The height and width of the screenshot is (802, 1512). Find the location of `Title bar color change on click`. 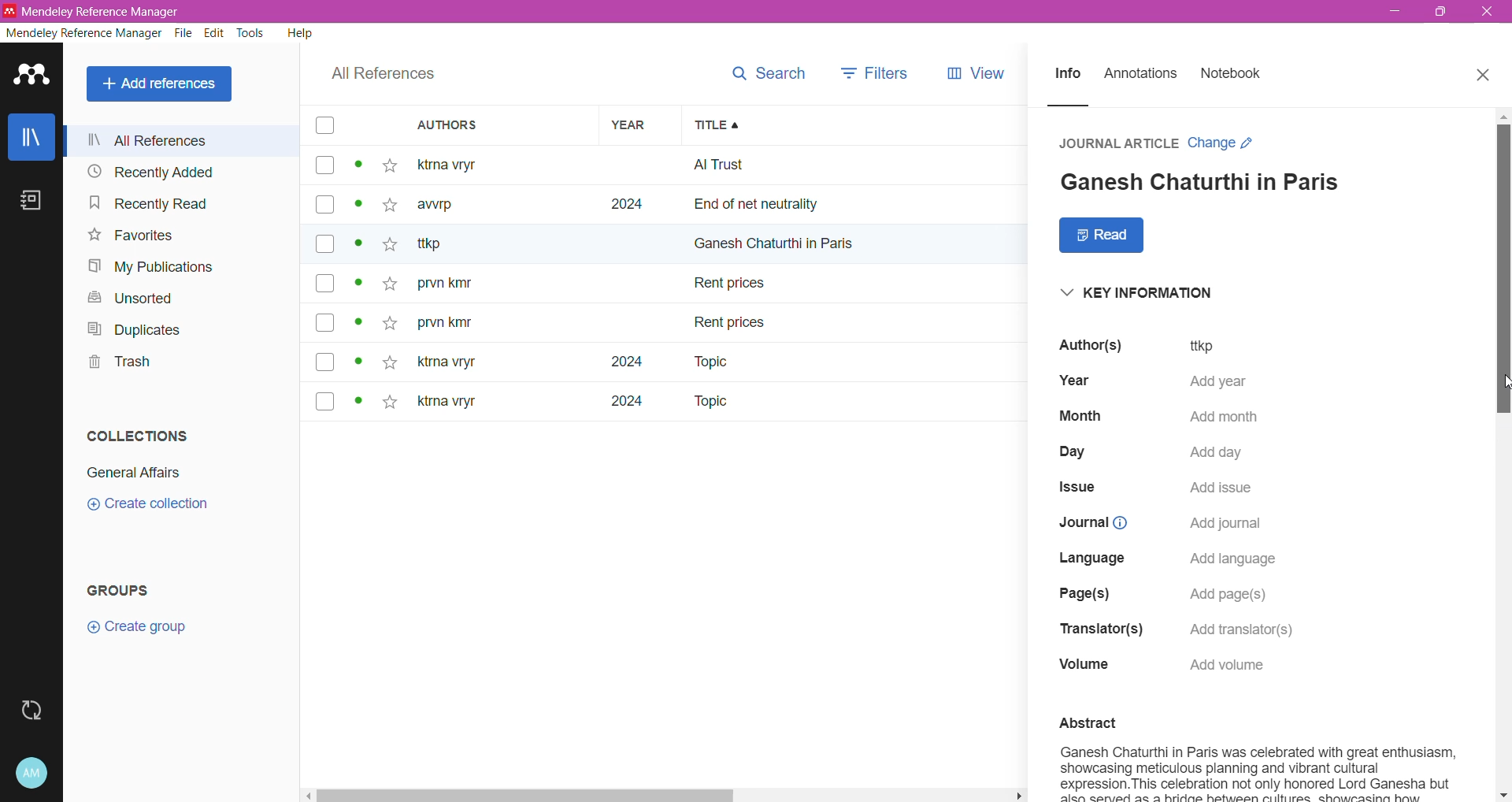

Title bar color change on click is located at coordinates (756, 12).